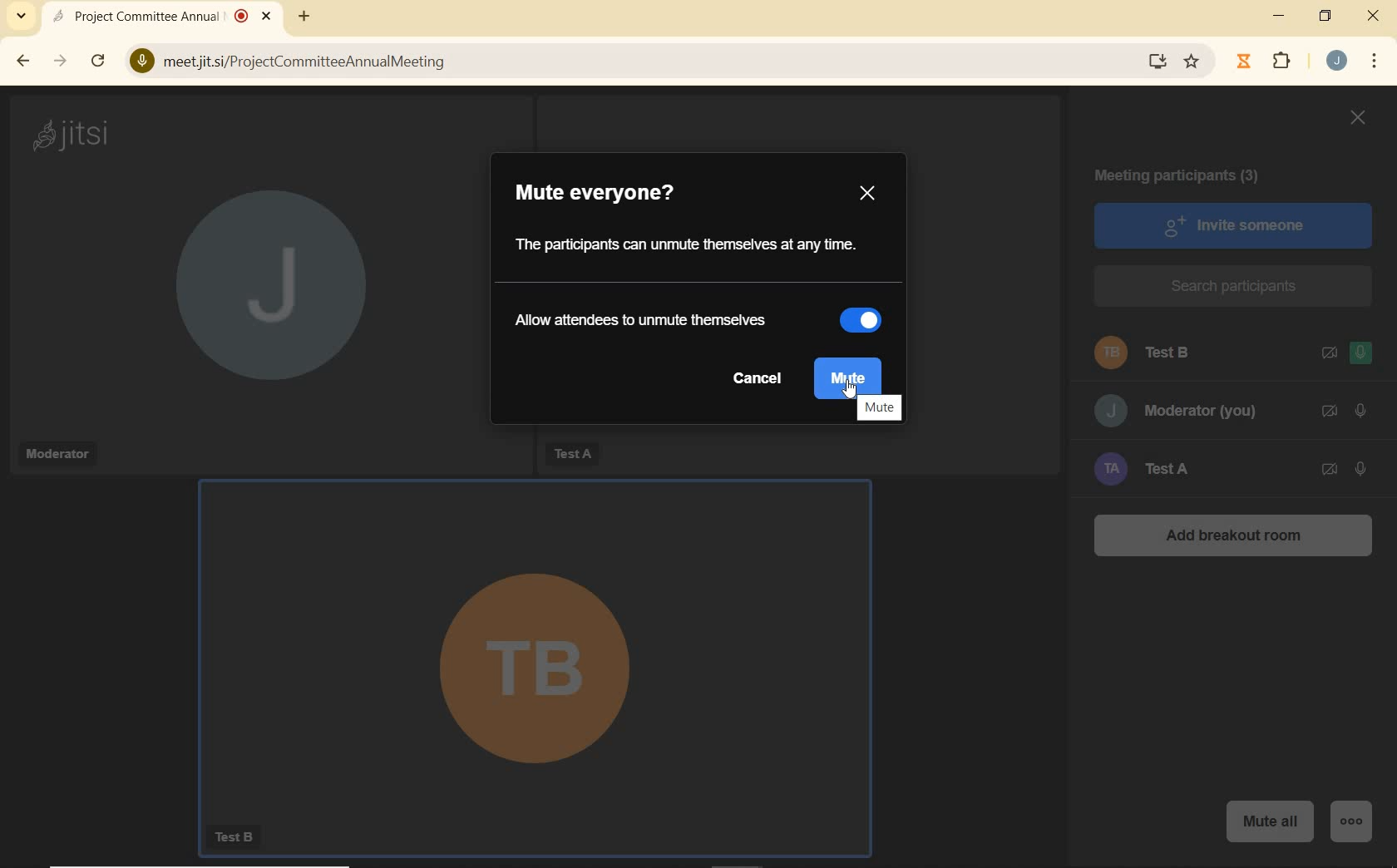  I want to click on TB, so click(530, 649).